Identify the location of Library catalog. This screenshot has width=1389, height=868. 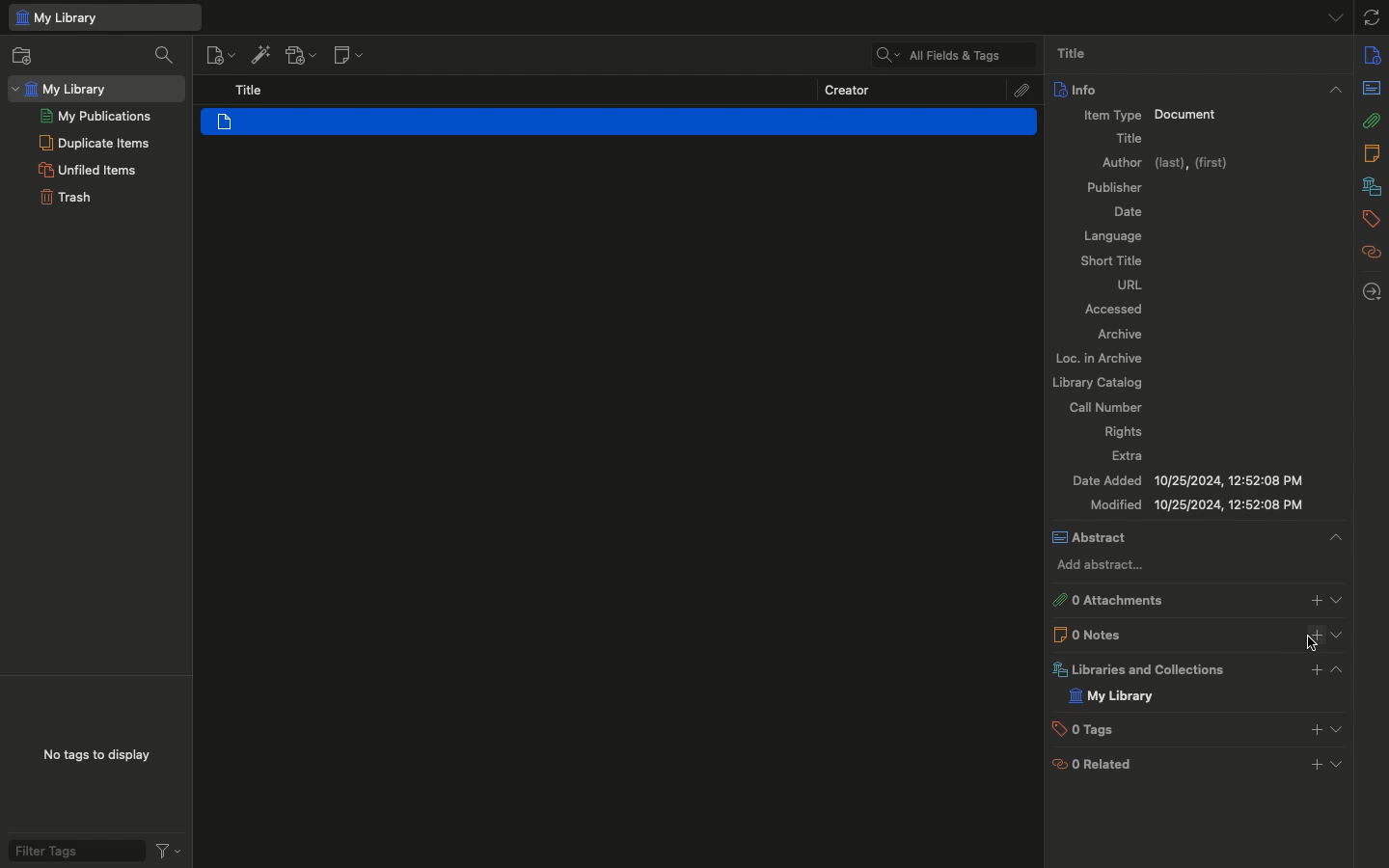
(1095, 381).